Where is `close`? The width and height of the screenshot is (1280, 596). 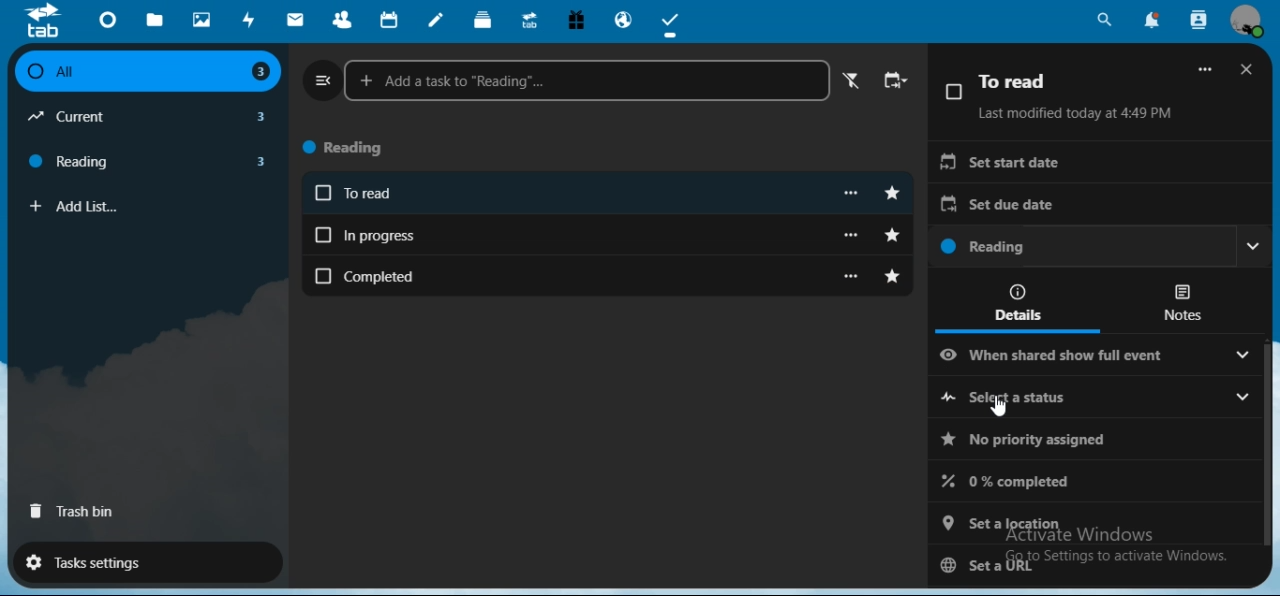
close is located at coordinates (1249, 72).